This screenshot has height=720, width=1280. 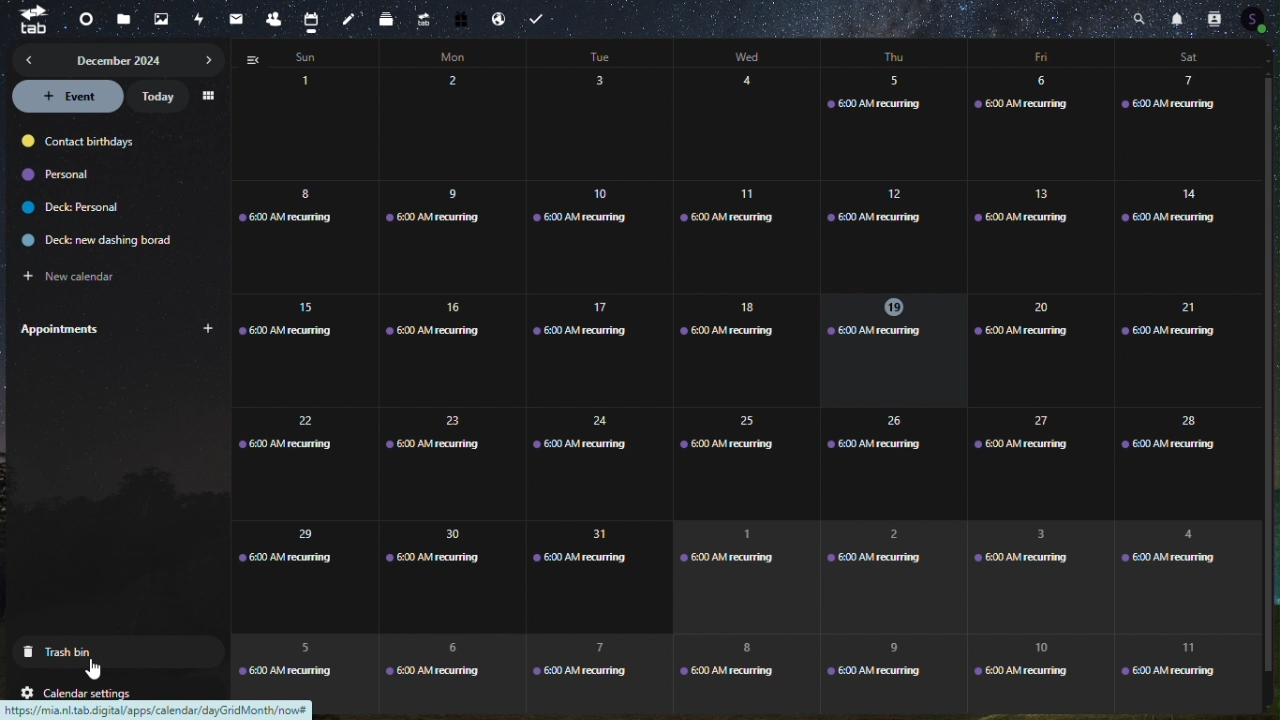 What do you see at coordinates (1027, 452) in the screenshot?
I see `27` at bounding box center [1027, 452].